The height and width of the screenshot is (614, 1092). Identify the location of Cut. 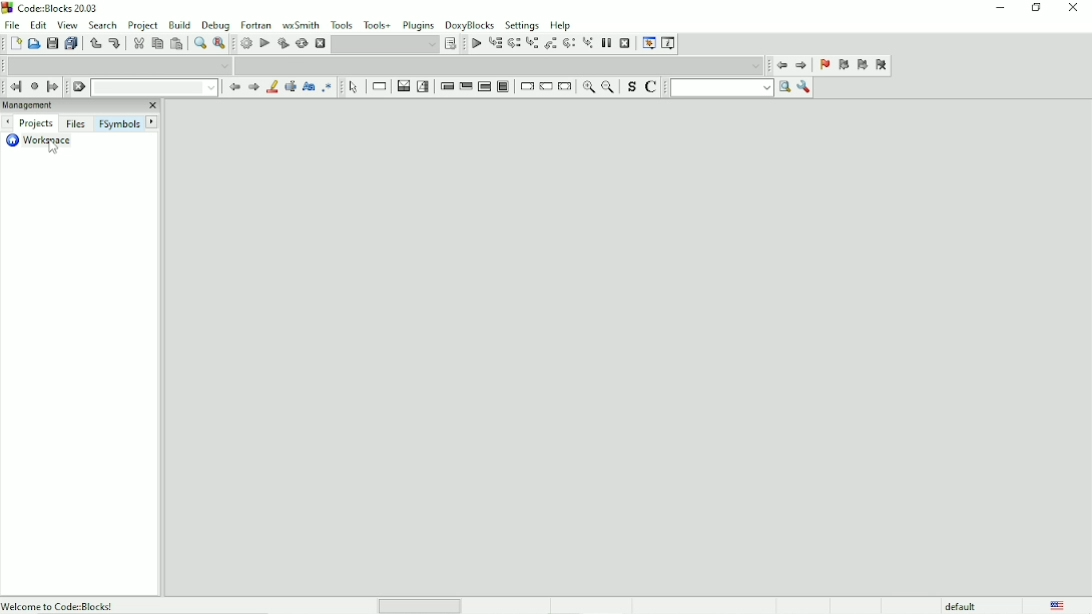
(138, 43).